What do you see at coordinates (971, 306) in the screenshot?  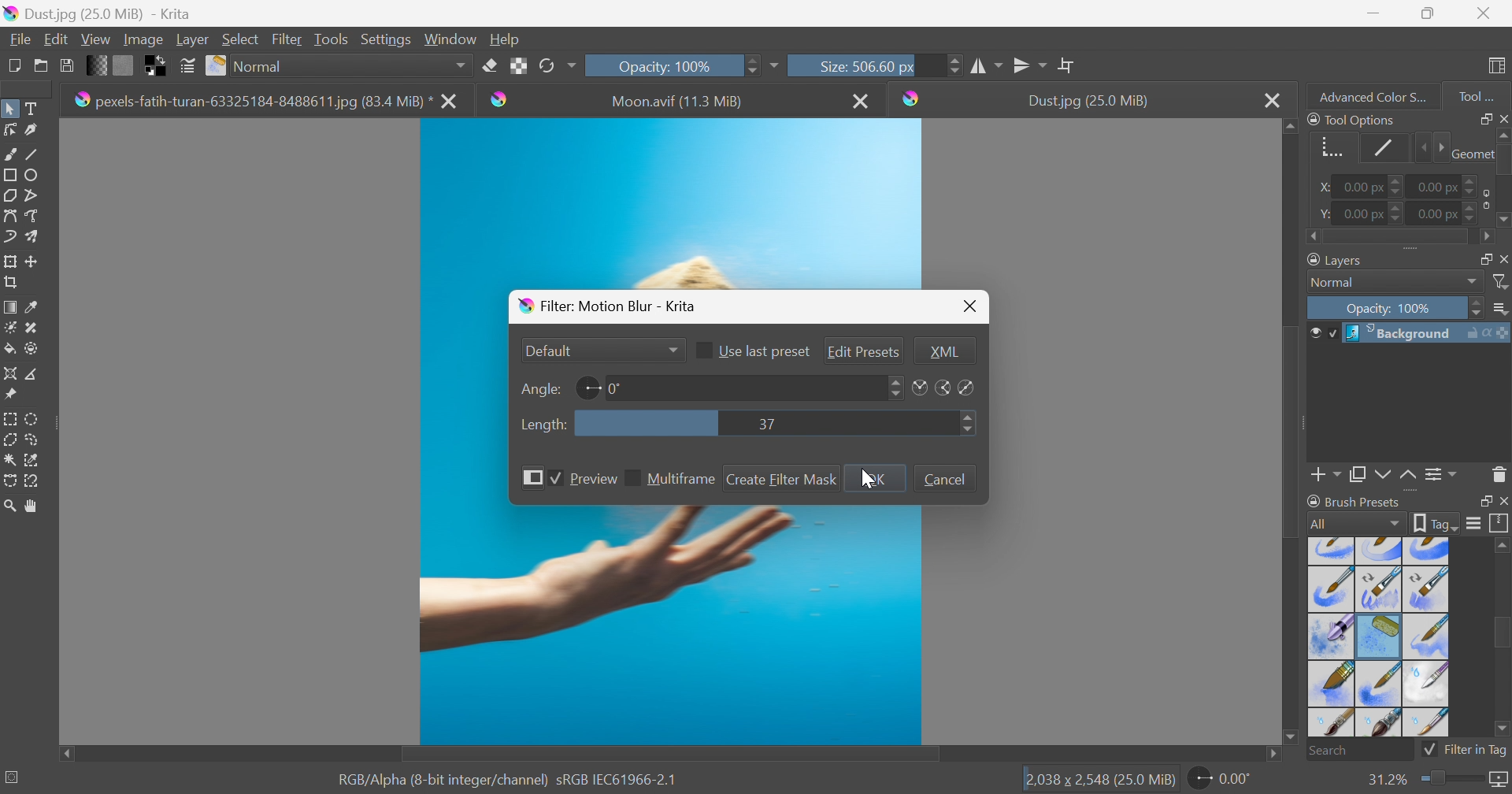 I see `Close` at bounding box center [971, 306].